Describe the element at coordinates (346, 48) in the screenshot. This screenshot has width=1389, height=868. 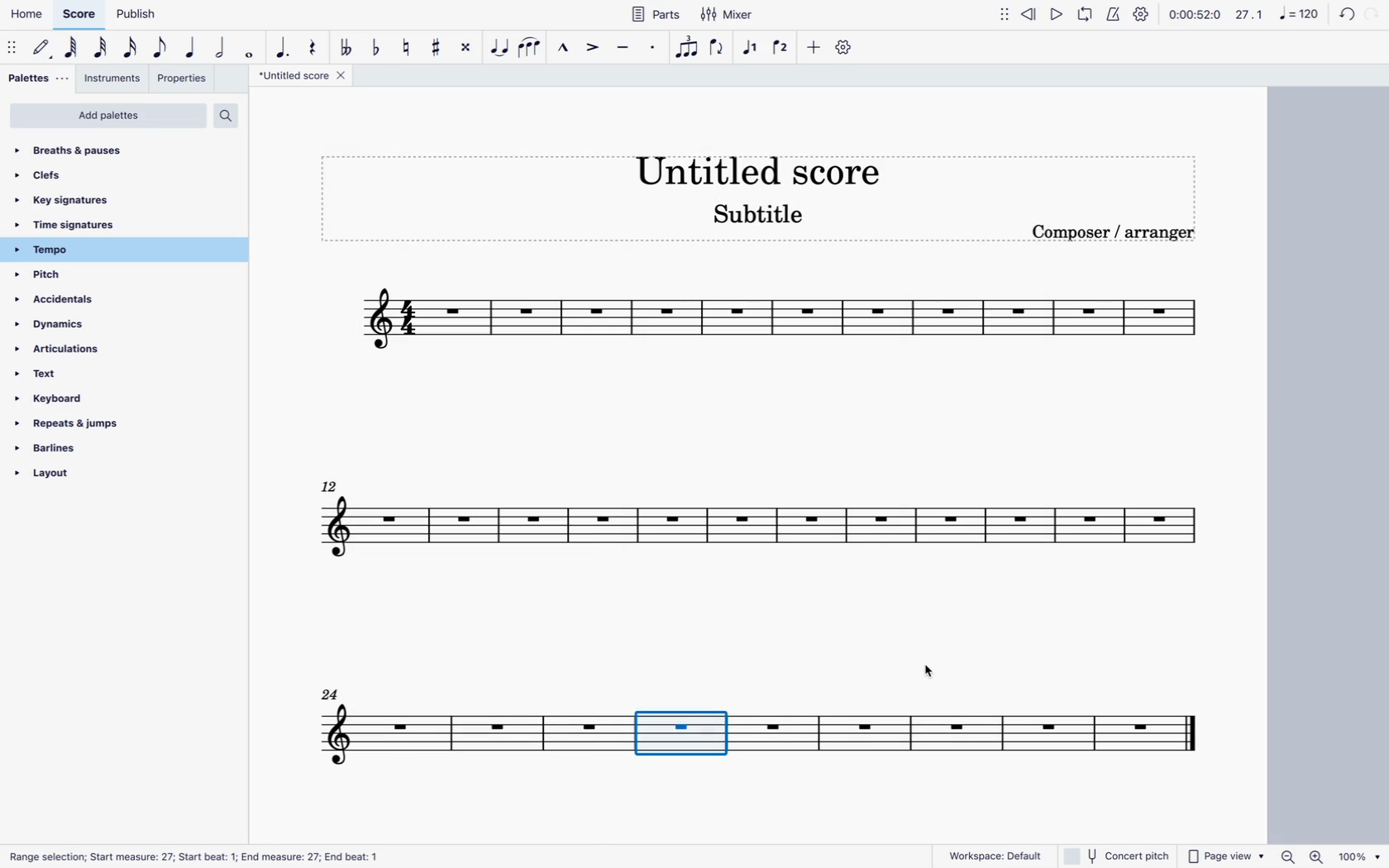
I see `double toggle flat` at that location.